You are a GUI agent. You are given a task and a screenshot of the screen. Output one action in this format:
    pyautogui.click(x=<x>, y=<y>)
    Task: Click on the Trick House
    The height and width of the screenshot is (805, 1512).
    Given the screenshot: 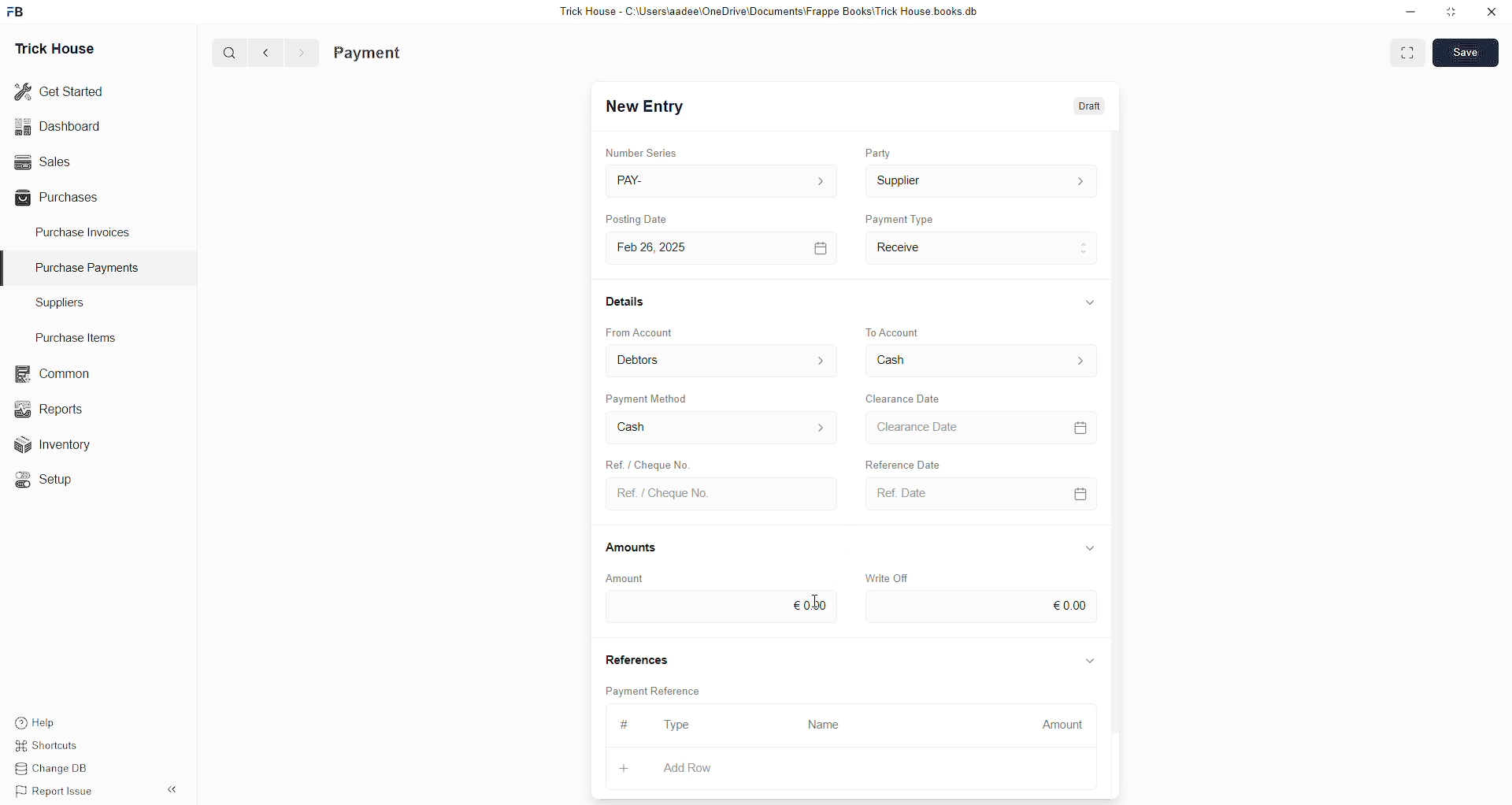 What is the action you would take?
    pyautogui.click(x=57, y=46)
    